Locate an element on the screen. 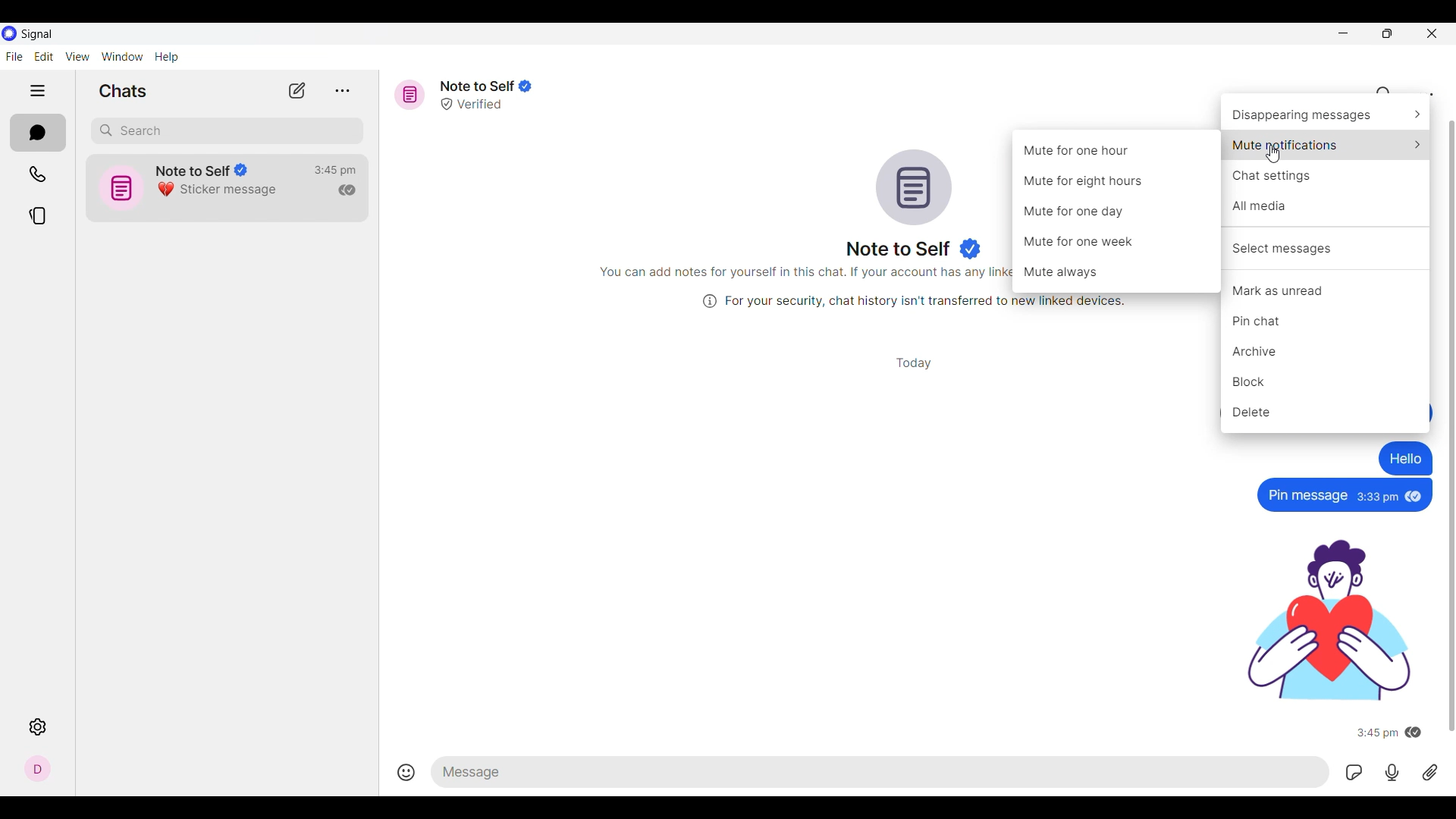 This screenshot has width=1456, height=819. Mute for one day is located at coordinates (1081, 211).